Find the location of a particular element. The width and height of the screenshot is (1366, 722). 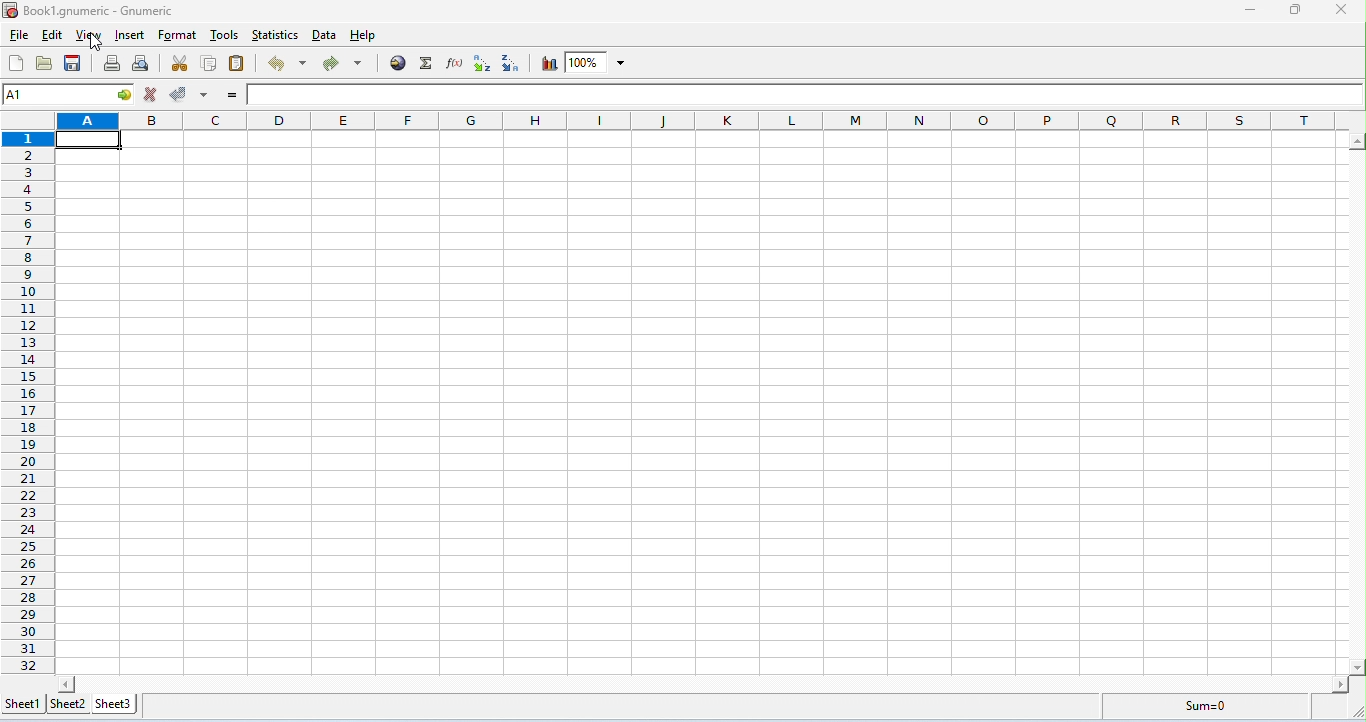

cut is located at coordinates (181, 61).